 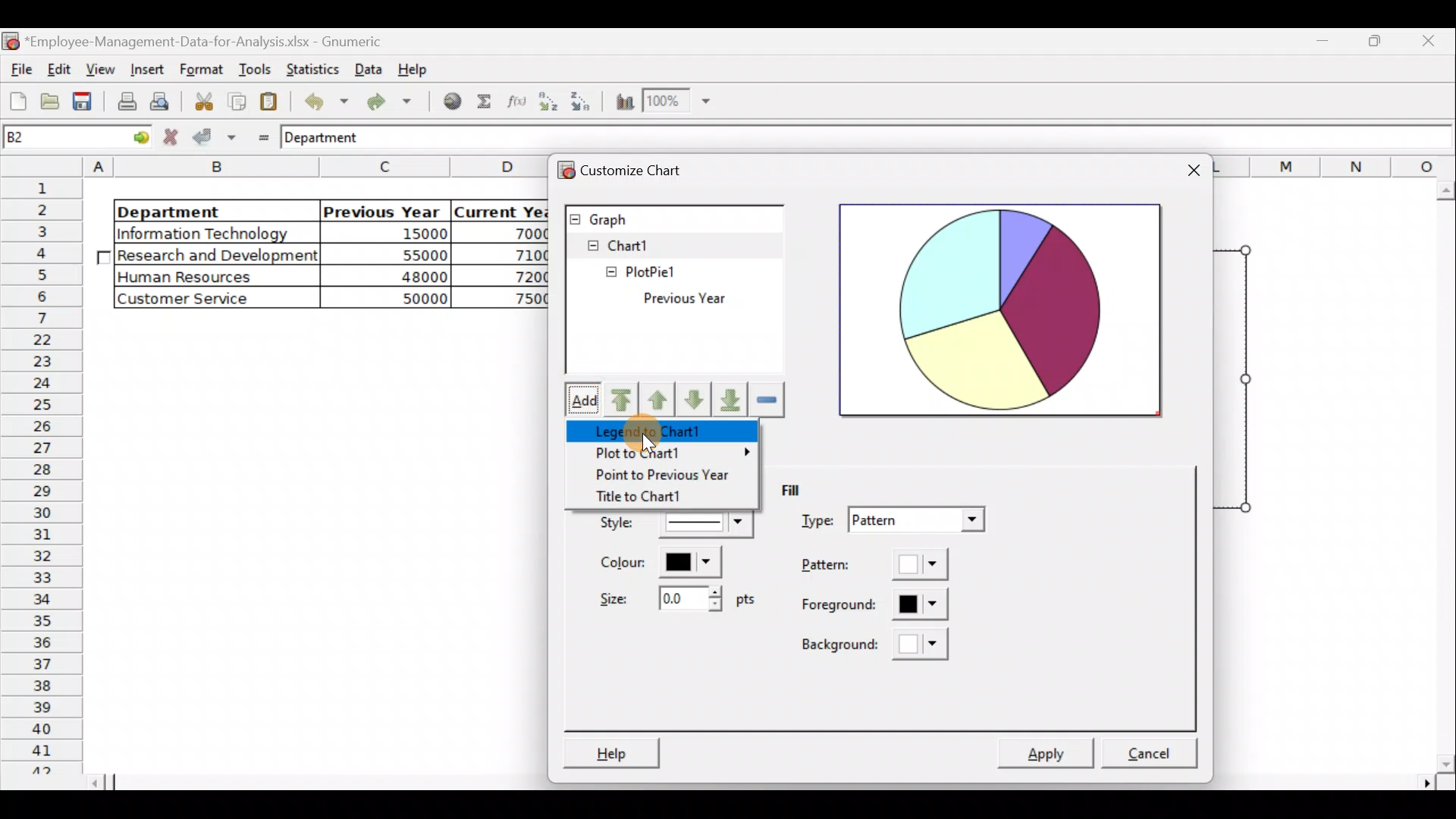 What do you see at coordinates (402, 297) in the screenshot?
I see `50000` at bounding box center [402, 297].